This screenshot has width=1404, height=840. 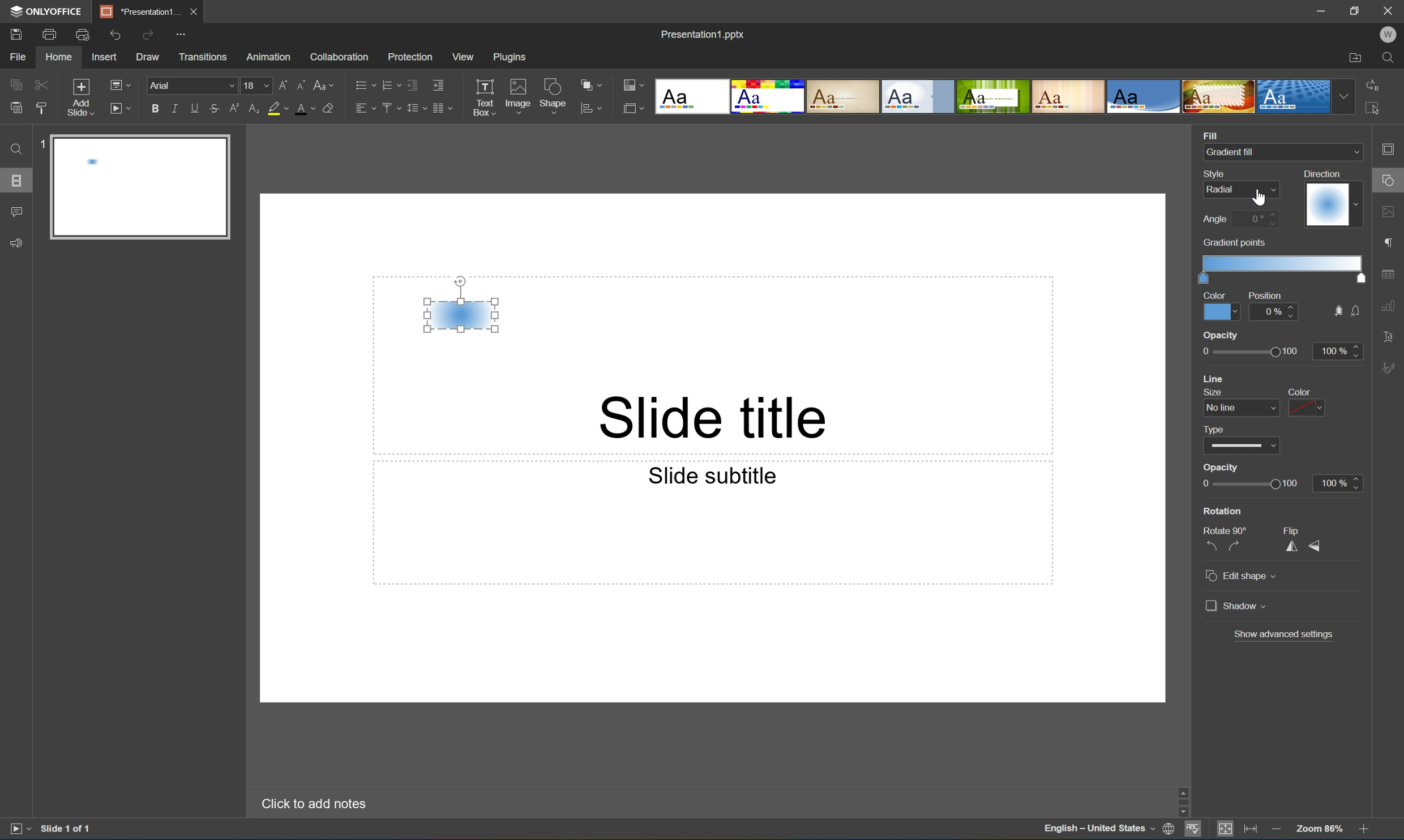 What do you see at coordinates (269, 55) in the screenshot?
I see `Amazon` at bounding box center [269, 55].